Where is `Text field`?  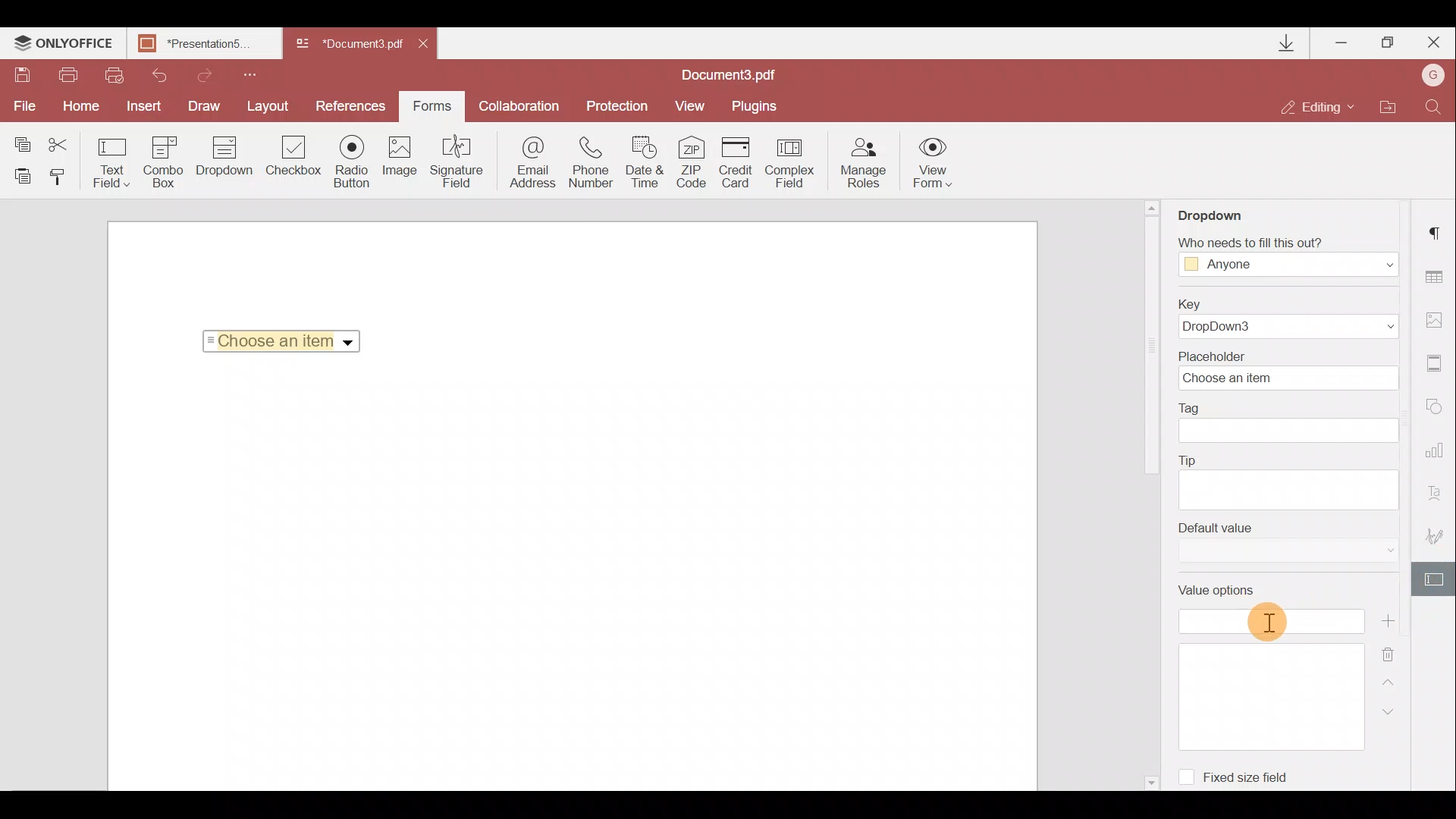 Text field is located at coordinates (109, 162).